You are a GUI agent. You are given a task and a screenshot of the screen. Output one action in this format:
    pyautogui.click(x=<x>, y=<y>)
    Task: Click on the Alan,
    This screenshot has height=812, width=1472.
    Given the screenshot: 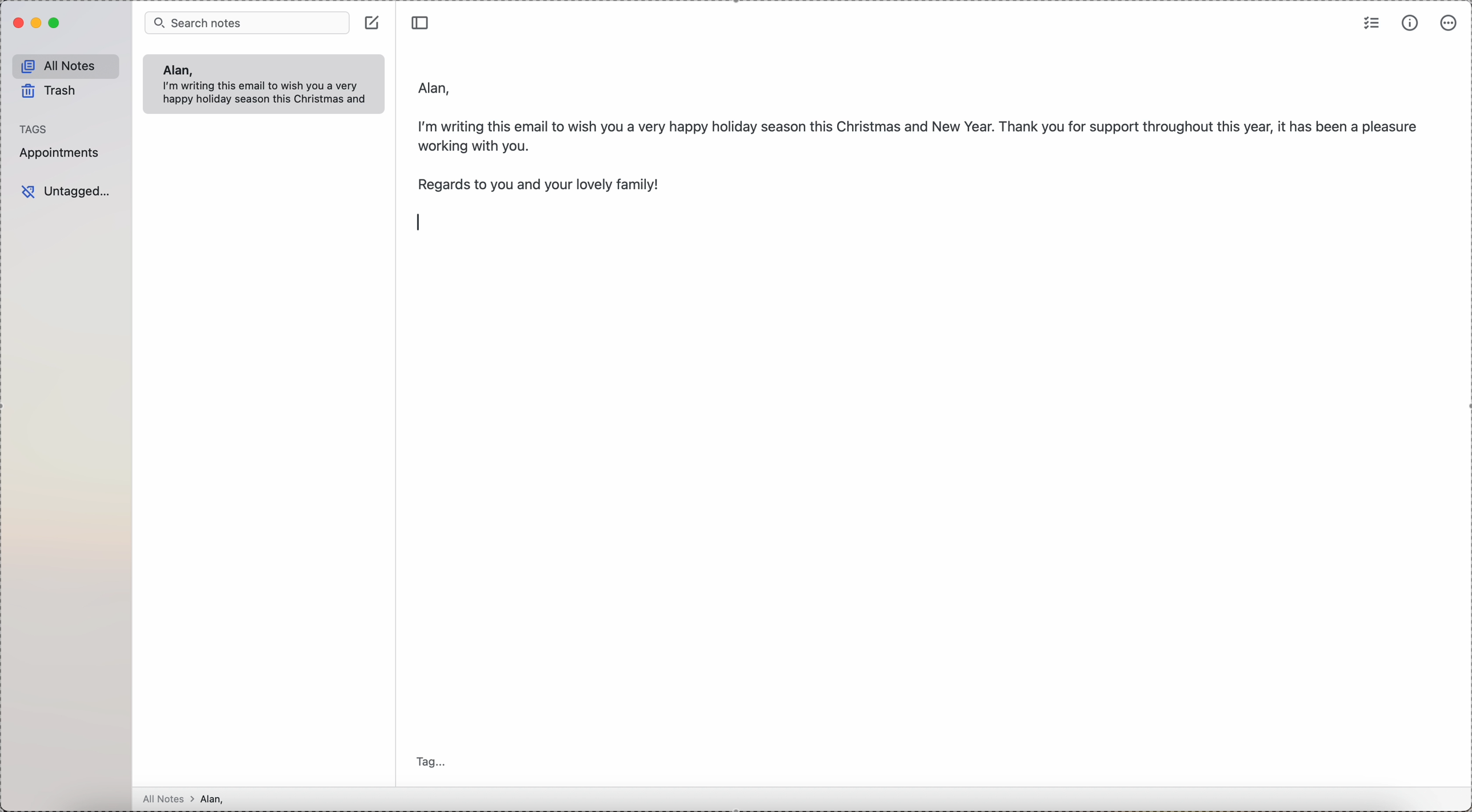 What is the action you would take?
    pyautogui.click(x=177, y=70)
    